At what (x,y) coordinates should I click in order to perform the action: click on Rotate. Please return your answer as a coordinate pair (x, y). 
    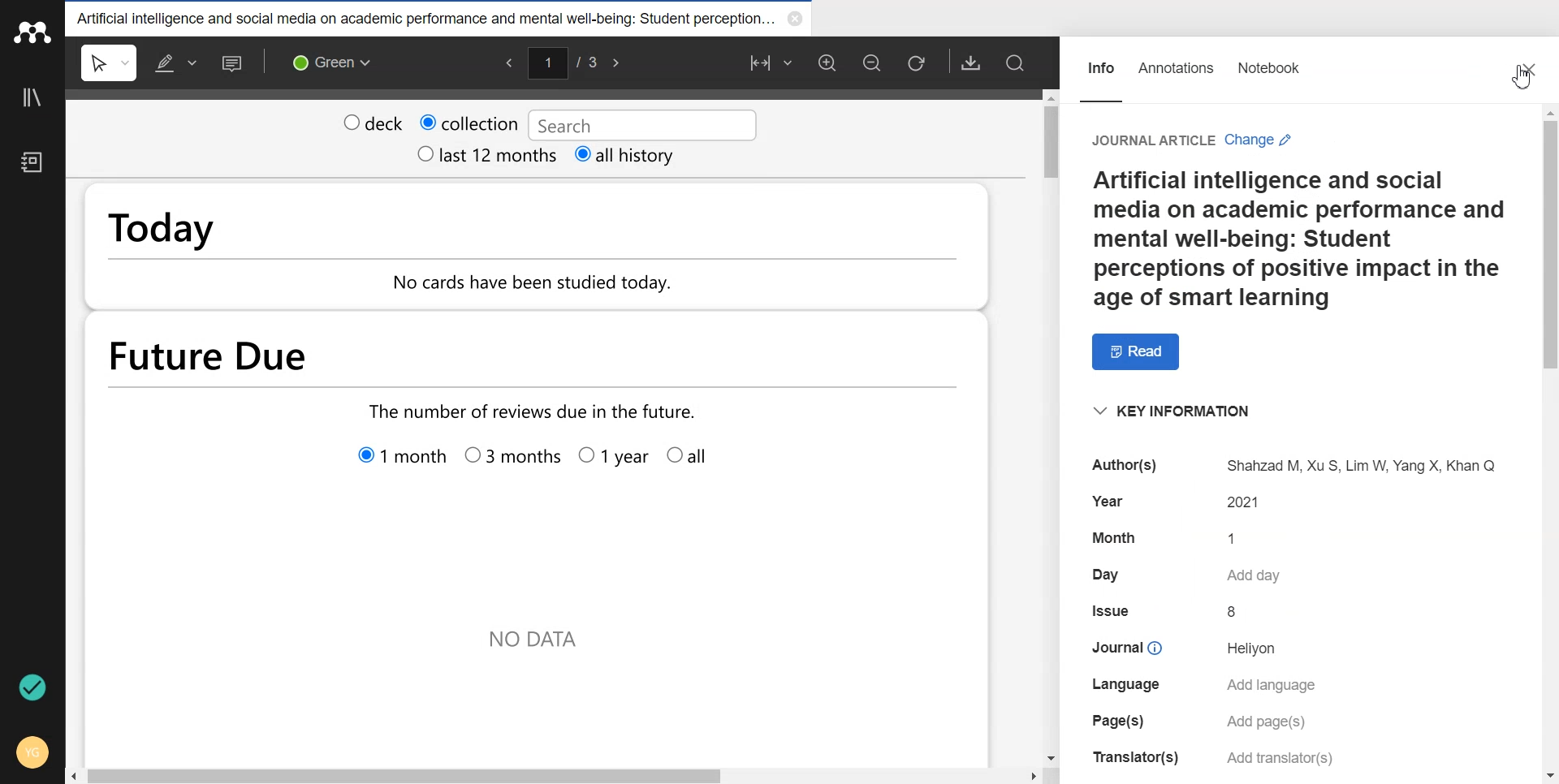
    Looking at the image, I should click on (918, 63).